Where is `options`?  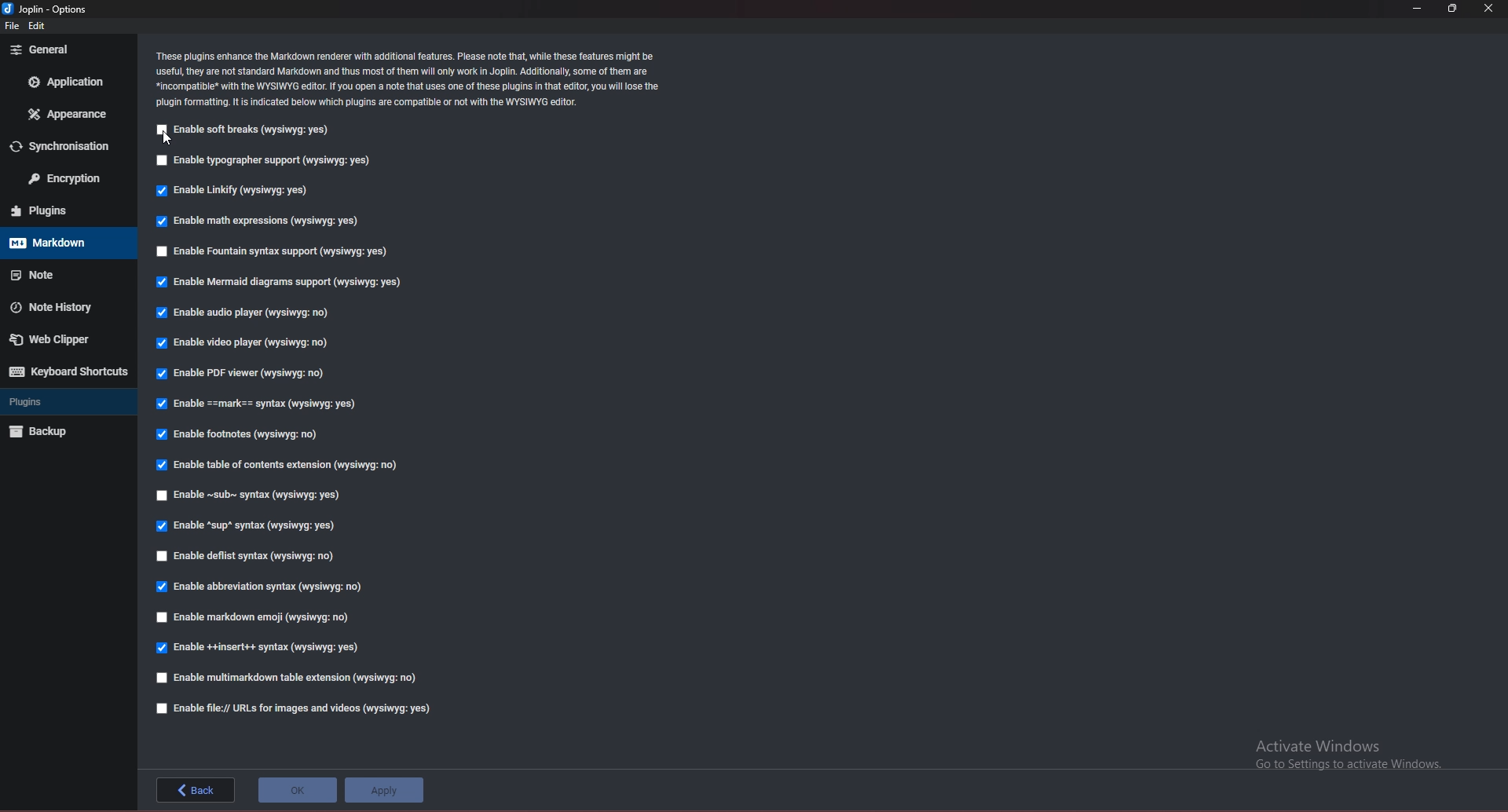 options is located at coordinates (46, 9).